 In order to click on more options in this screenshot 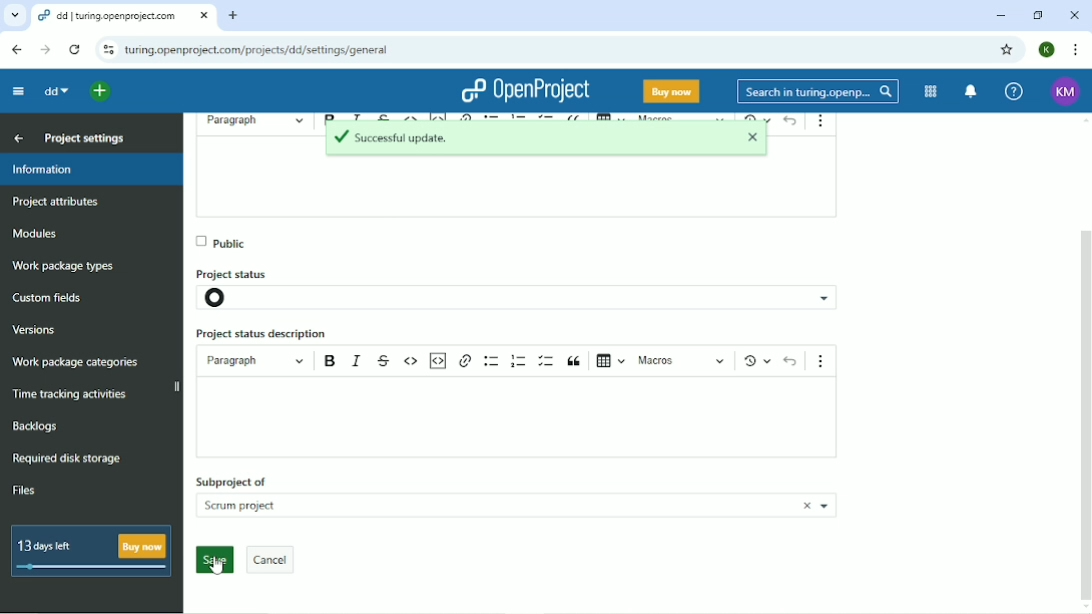, I will do `click(823, 124)`.